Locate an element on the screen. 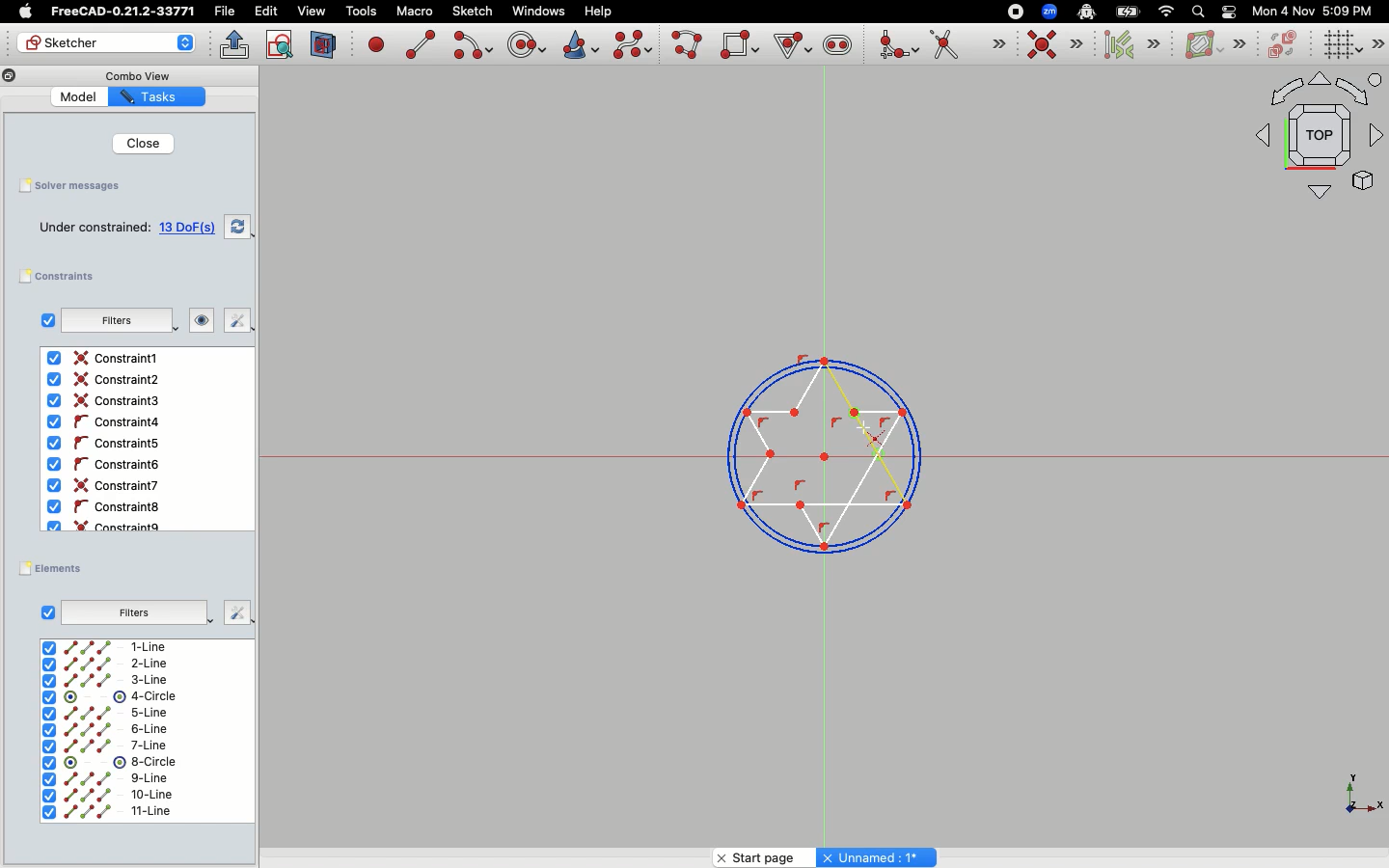 The height and width of the screenshot is (868, 1389). Constraint6 is located at coordinates (108, 485).